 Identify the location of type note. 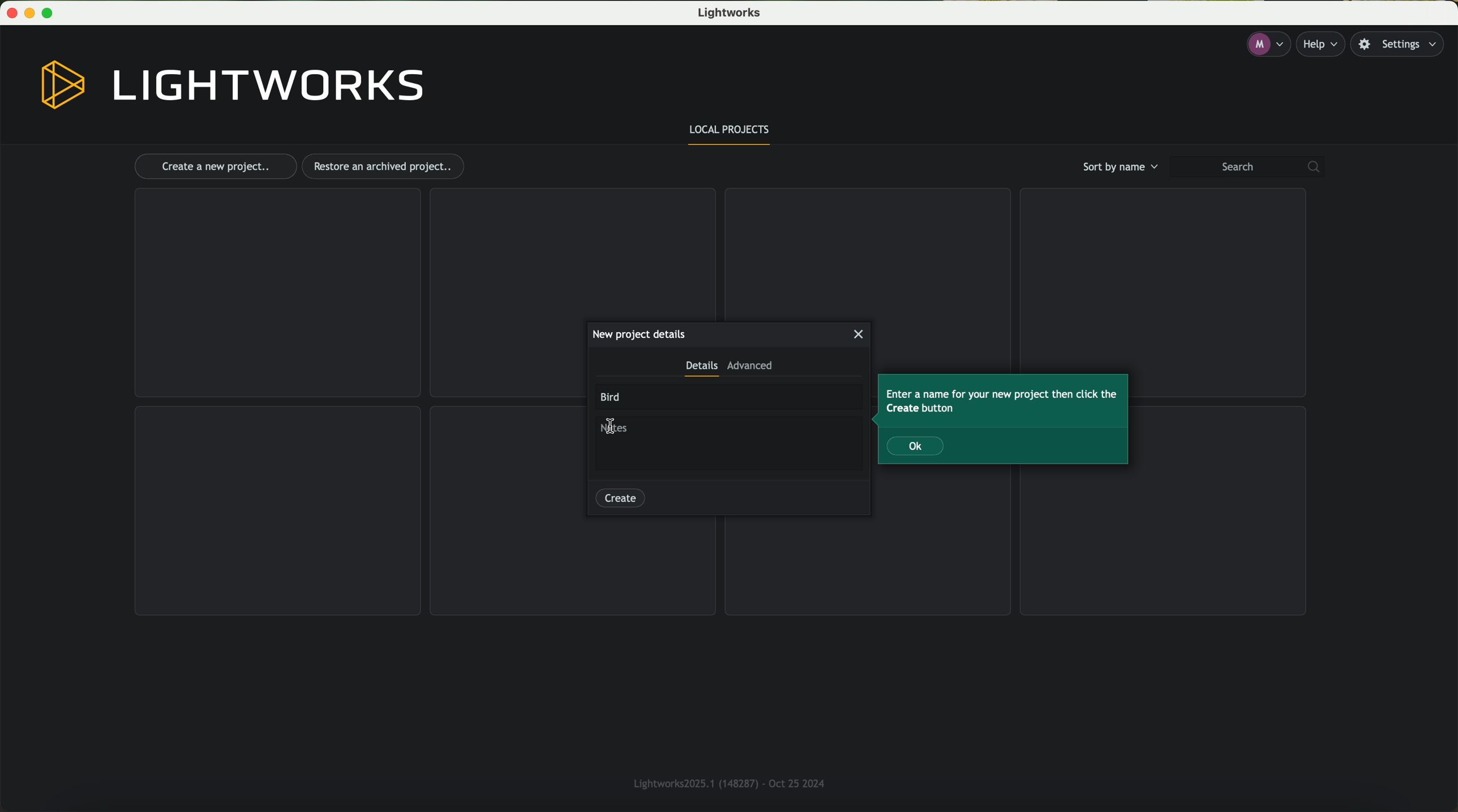
(620, 431).